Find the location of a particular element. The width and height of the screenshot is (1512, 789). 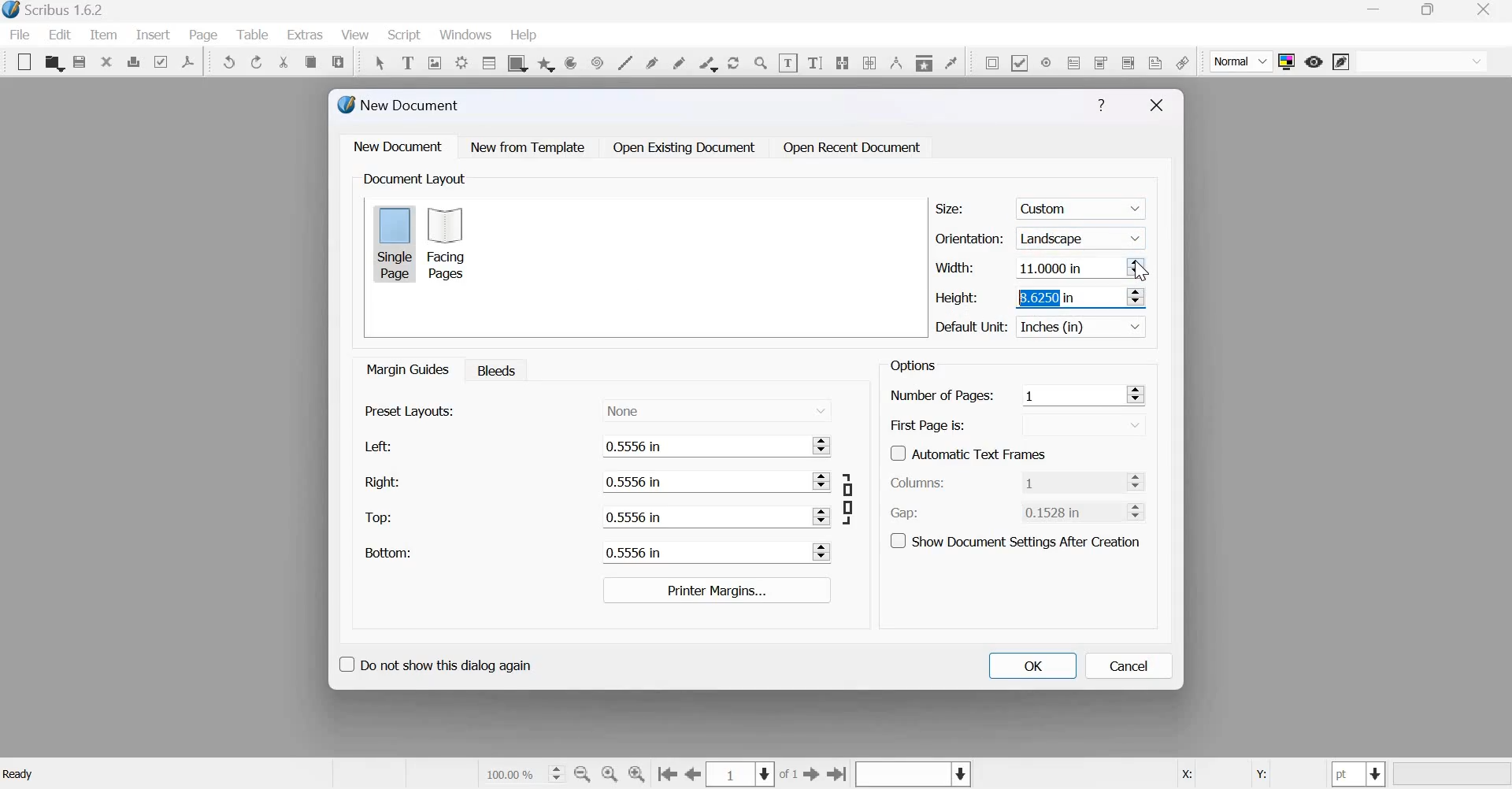

Image frame is located at coordinates (435, 61).